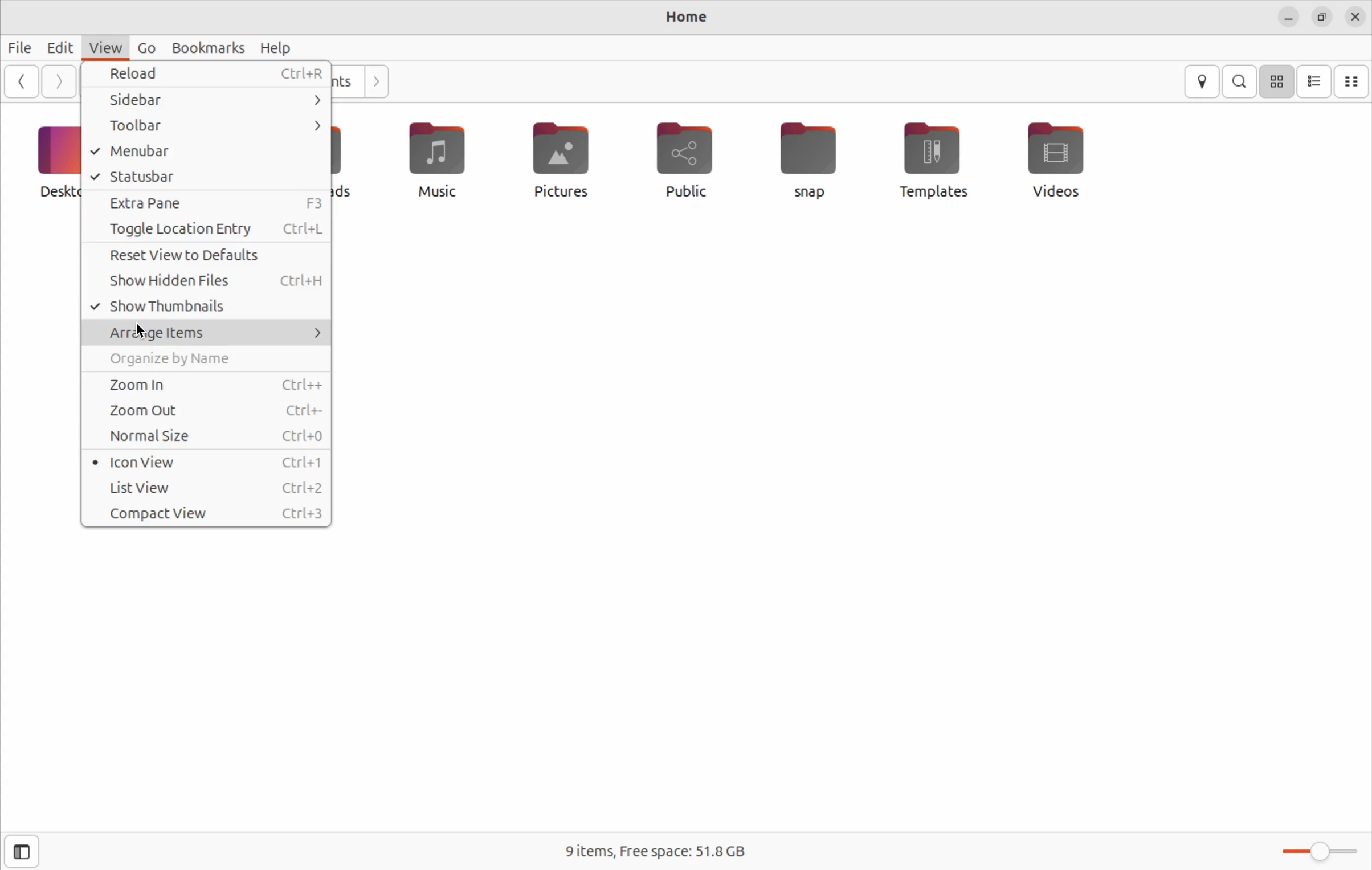 This screenshot has width=1372, height=870. What do you see at coordinates (206, 412) in the screenshot?
I see `zoom out` at bounding box center [206, 412].